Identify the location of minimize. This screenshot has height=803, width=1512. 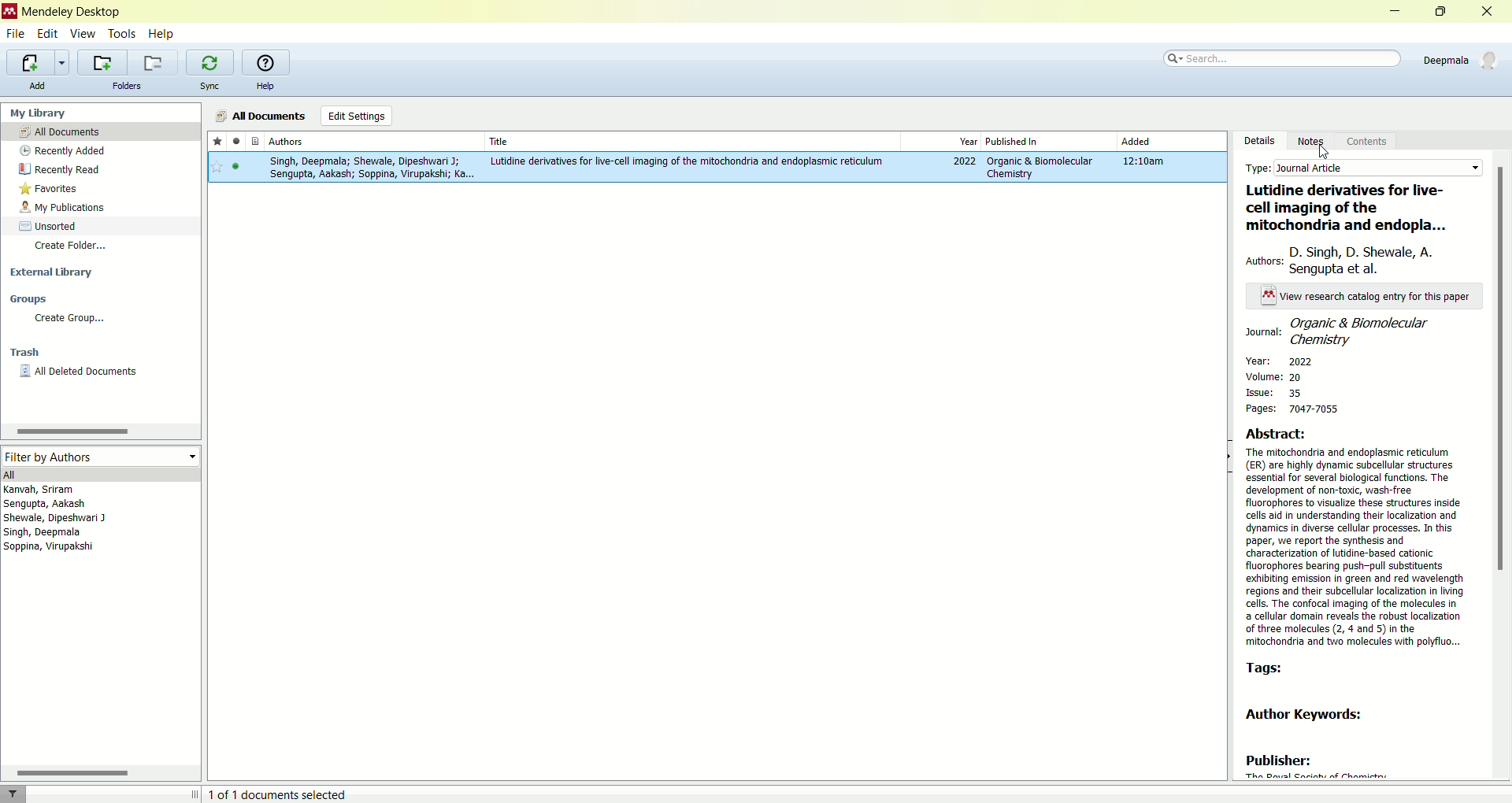
(1397, 11).